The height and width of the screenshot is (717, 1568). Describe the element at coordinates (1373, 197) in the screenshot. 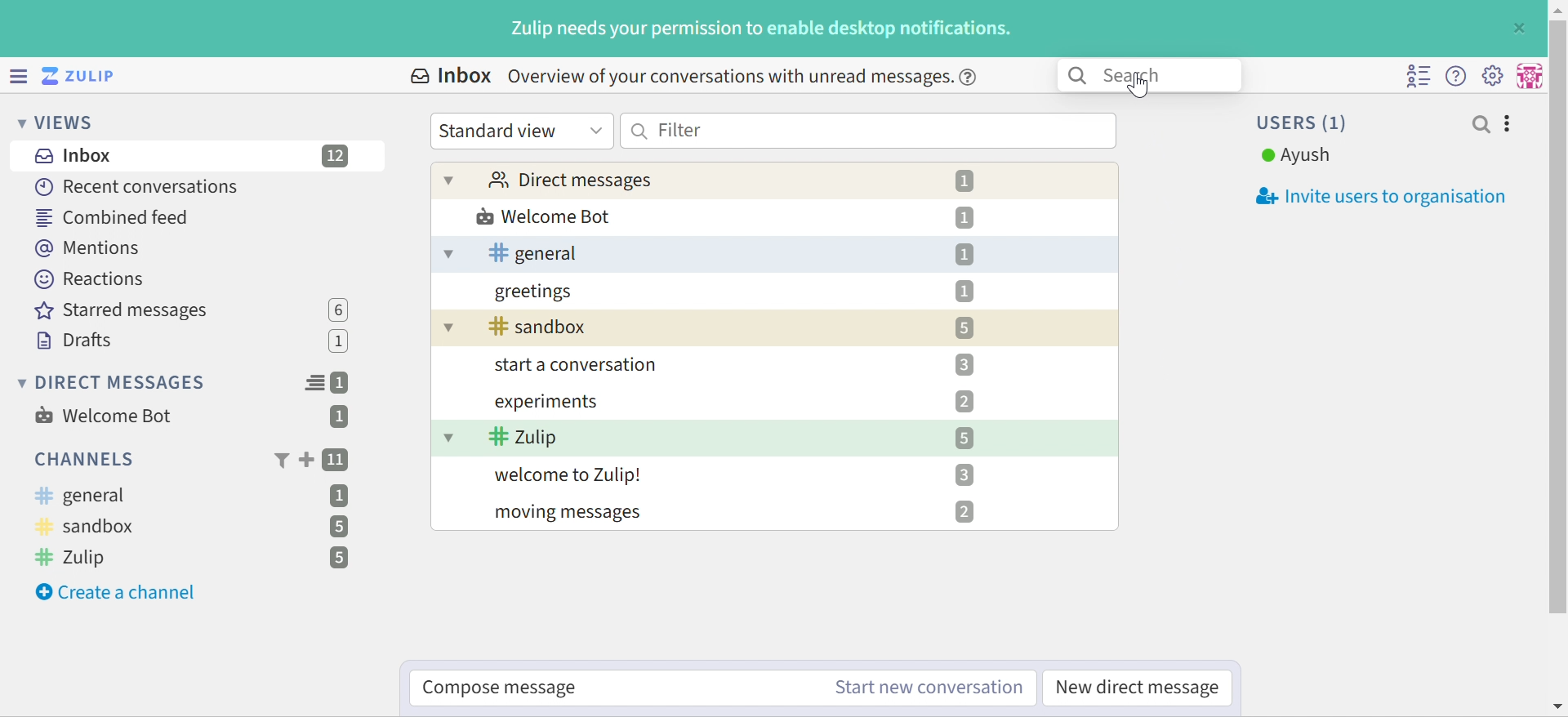

I see `Invite users to organisation` at that location.